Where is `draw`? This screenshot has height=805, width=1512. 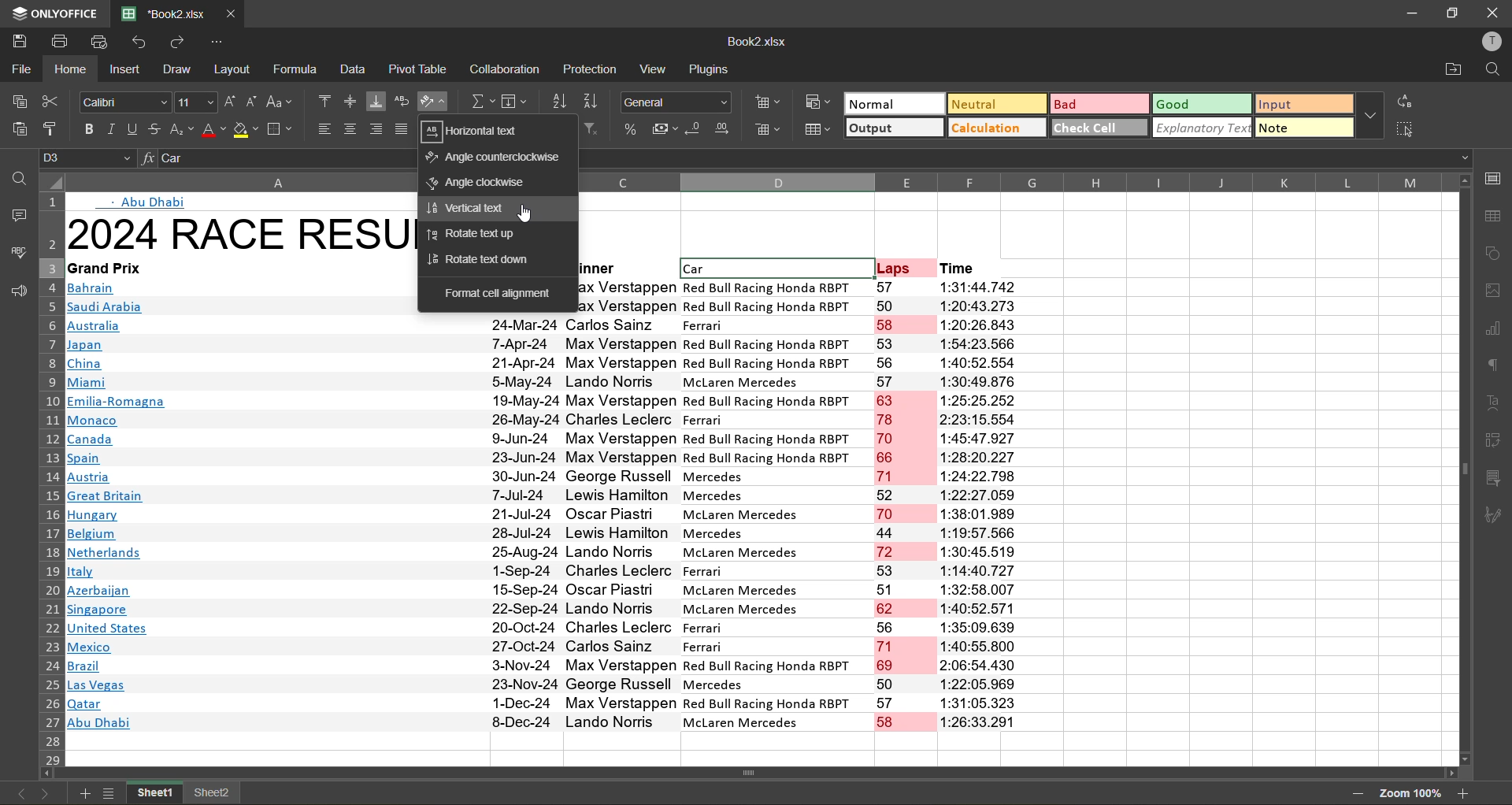
draw is located at coordinates (180, 72).